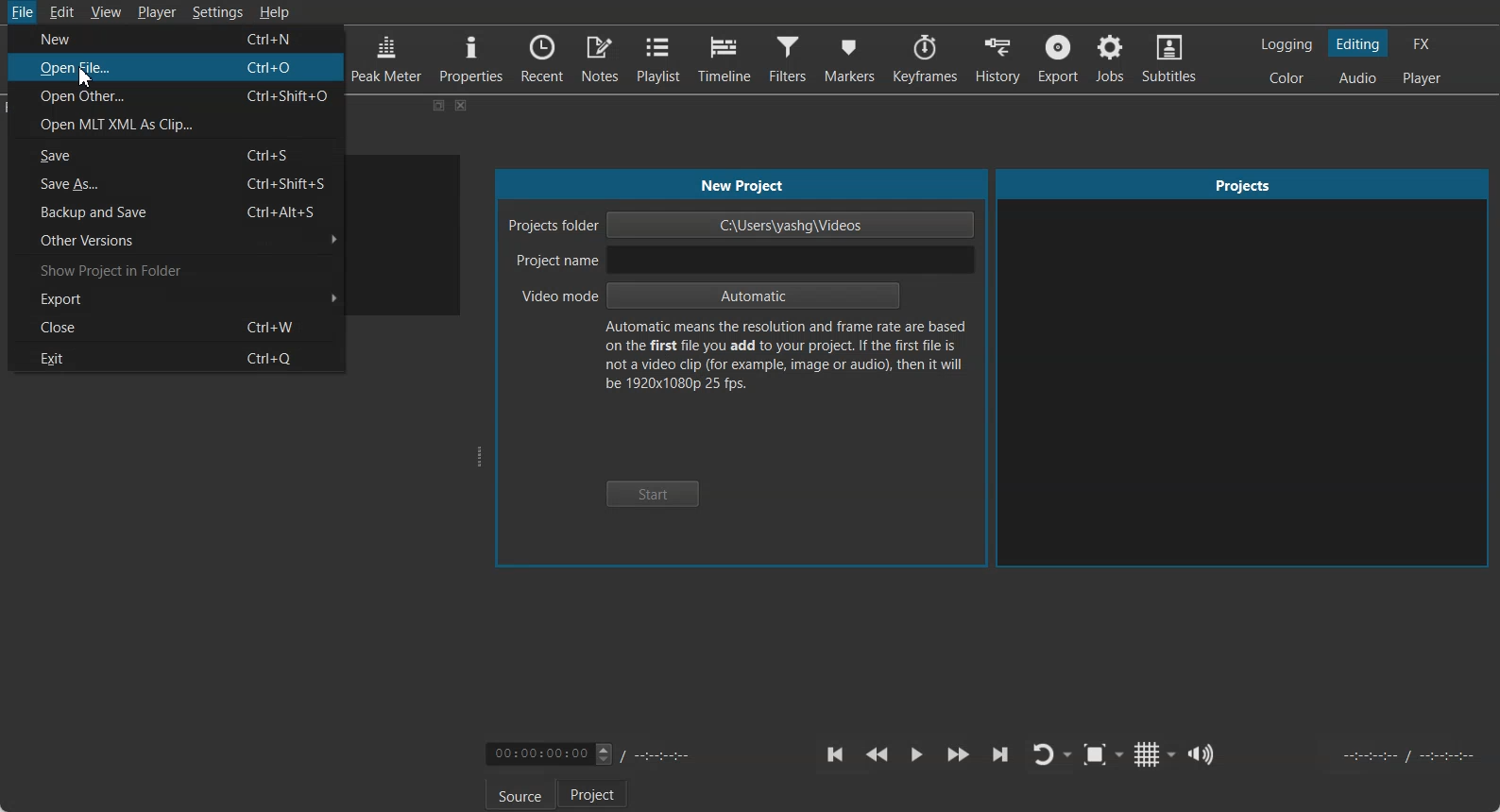 Image resolution: width=1500 pixels, height=812 pixels. What do you see at coordinates (275, 12) in the screenshot?
I see `Help` at bounding box center [275, 12].